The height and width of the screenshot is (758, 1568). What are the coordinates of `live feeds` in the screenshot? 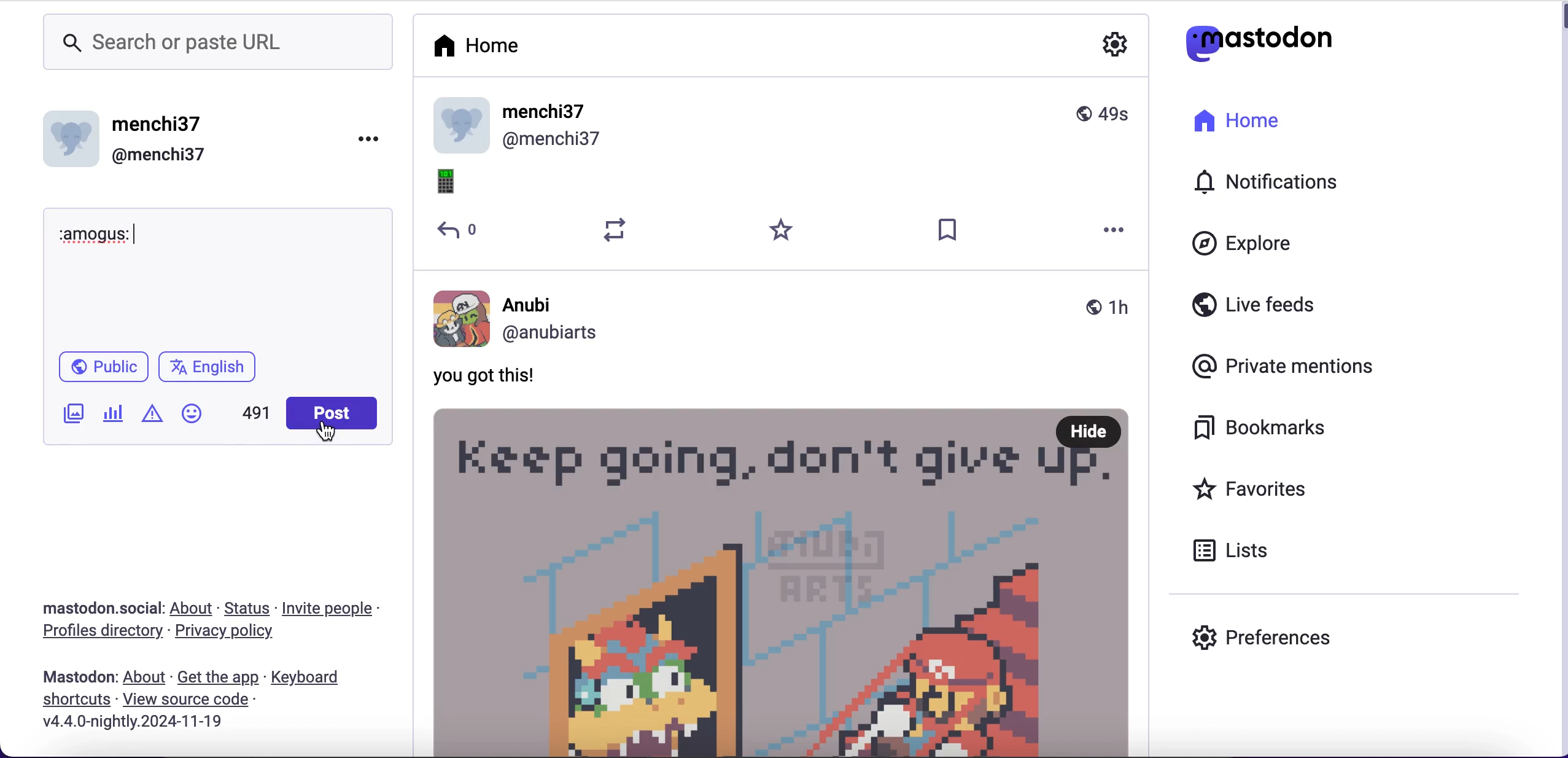 It's located at (1260, 304).